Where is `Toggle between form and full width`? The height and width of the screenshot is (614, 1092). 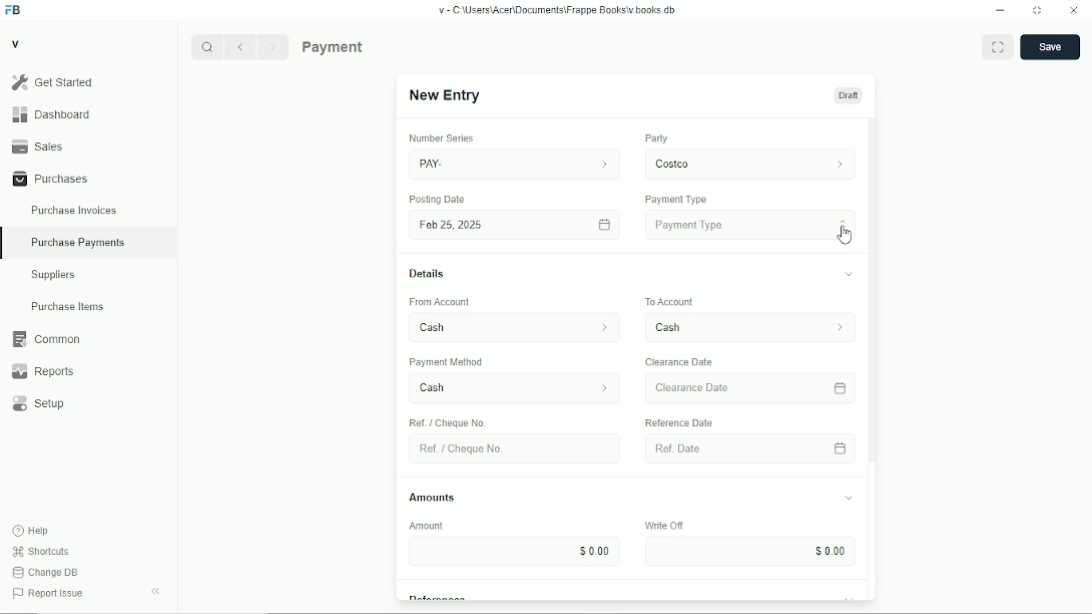
Toggle between form and full width is located at coordinates (997, 47).